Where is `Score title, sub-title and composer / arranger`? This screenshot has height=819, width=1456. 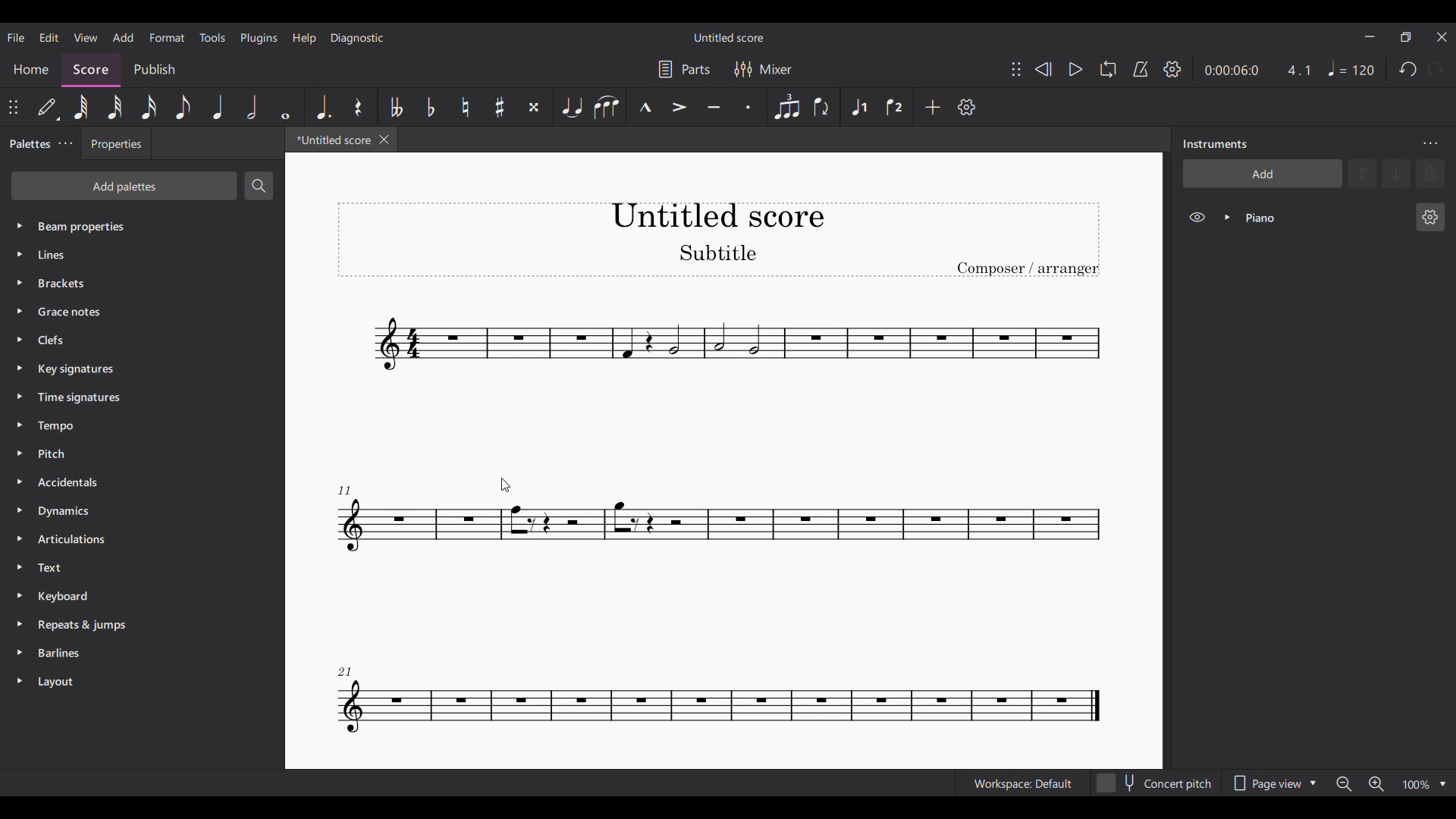
Score title, sub-title and composer / arranger is located at coordinates (718, 240).